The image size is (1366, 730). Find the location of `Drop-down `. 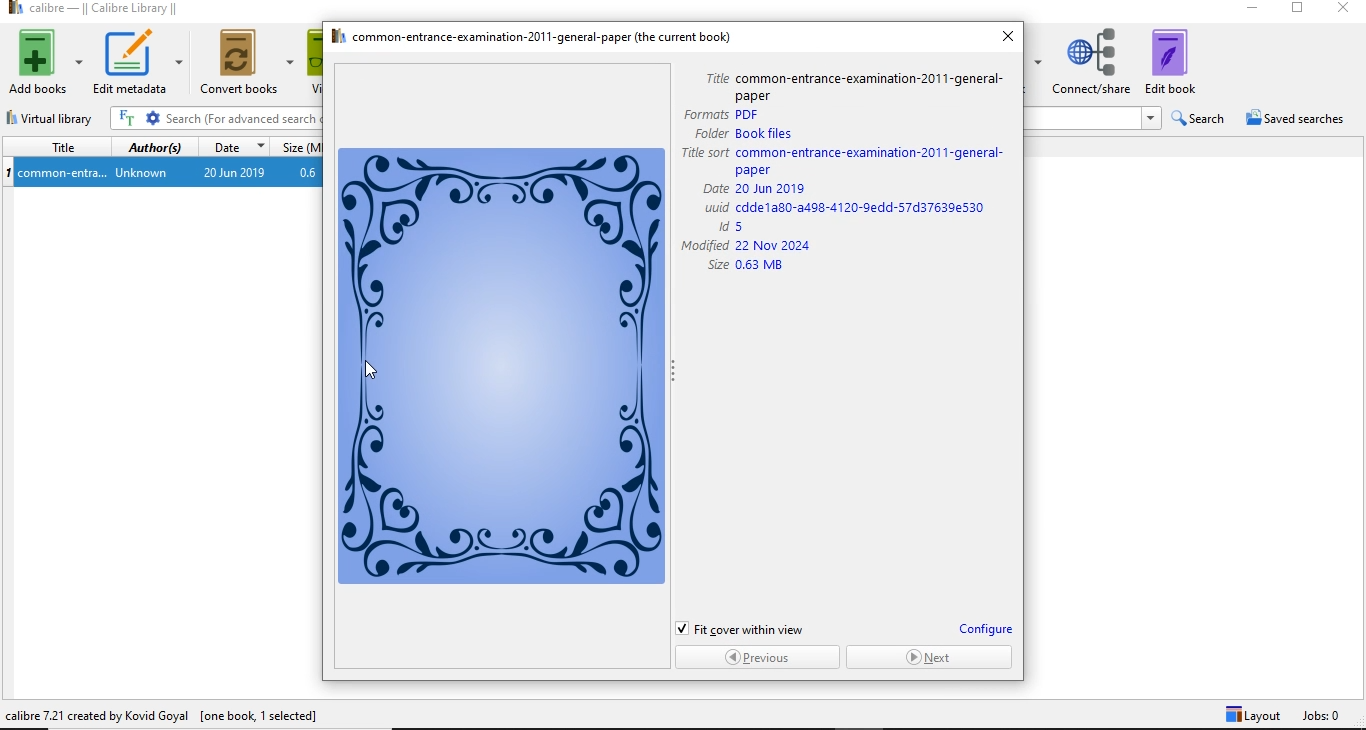

Drop-down  is located at coordinates (1150, 118).